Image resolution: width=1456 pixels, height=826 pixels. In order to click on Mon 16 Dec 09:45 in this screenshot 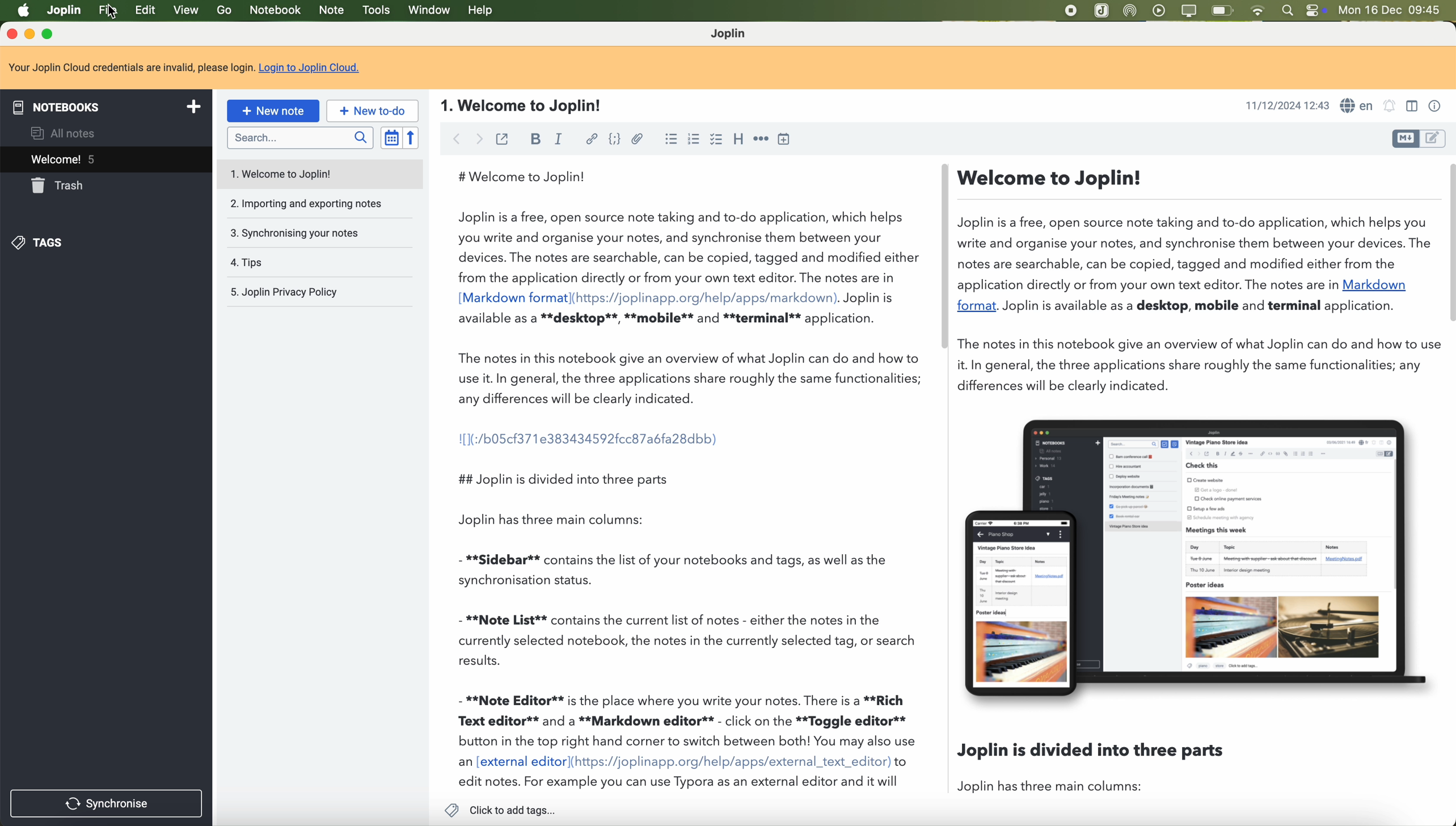, I will do `click(1391, 11)`.